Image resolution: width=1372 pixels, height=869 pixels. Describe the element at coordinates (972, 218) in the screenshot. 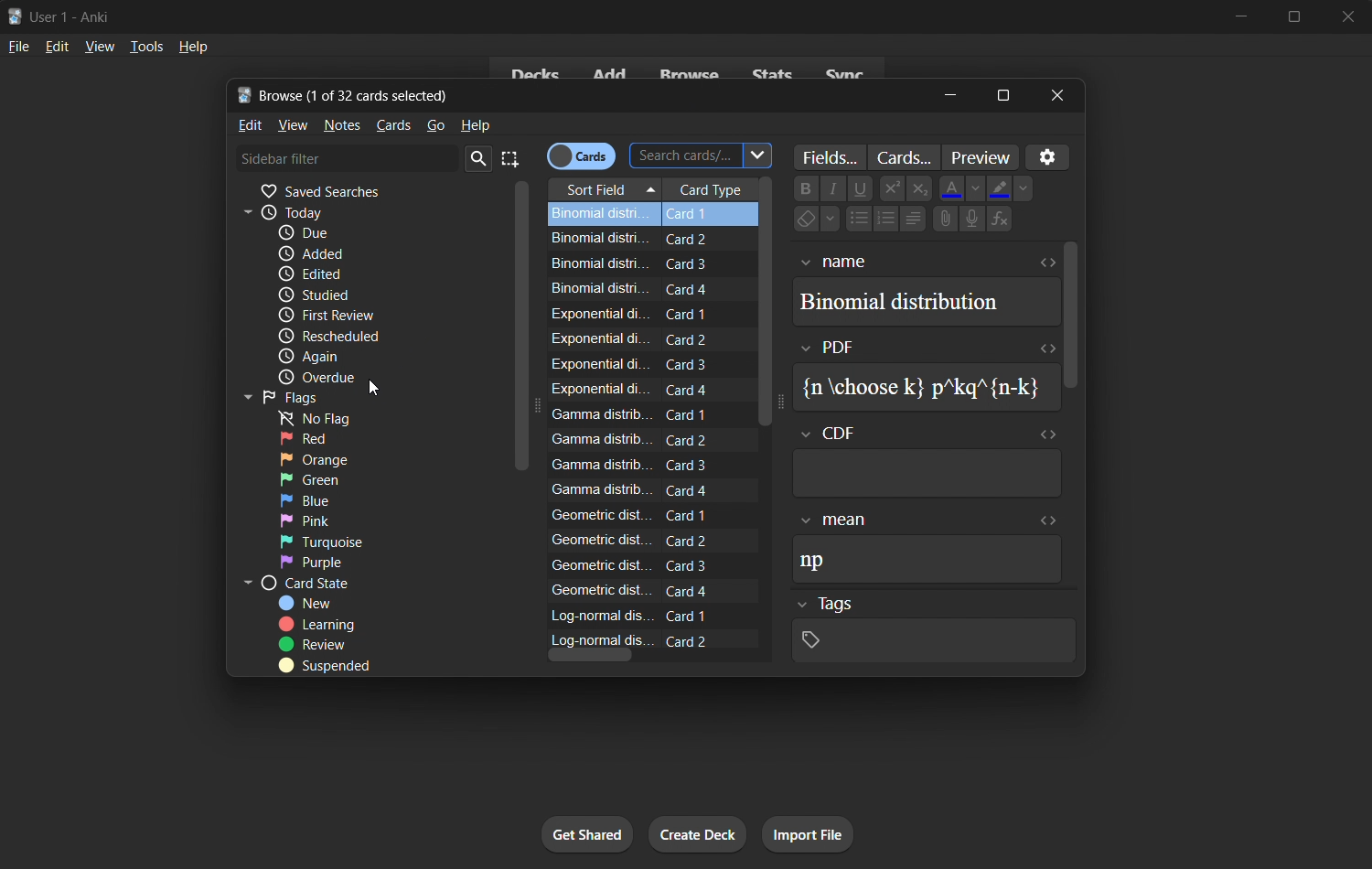

I see `` at that location.